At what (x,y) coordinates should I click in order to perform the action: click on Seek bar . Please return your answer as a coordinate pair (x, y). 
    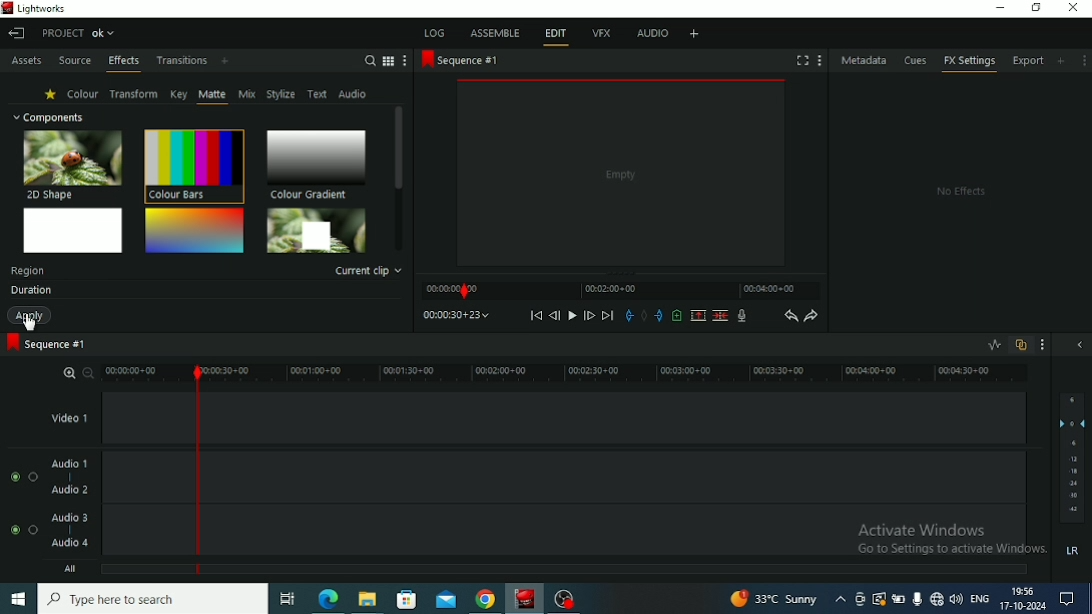
    Looking at the image, I should click on (198, 468).